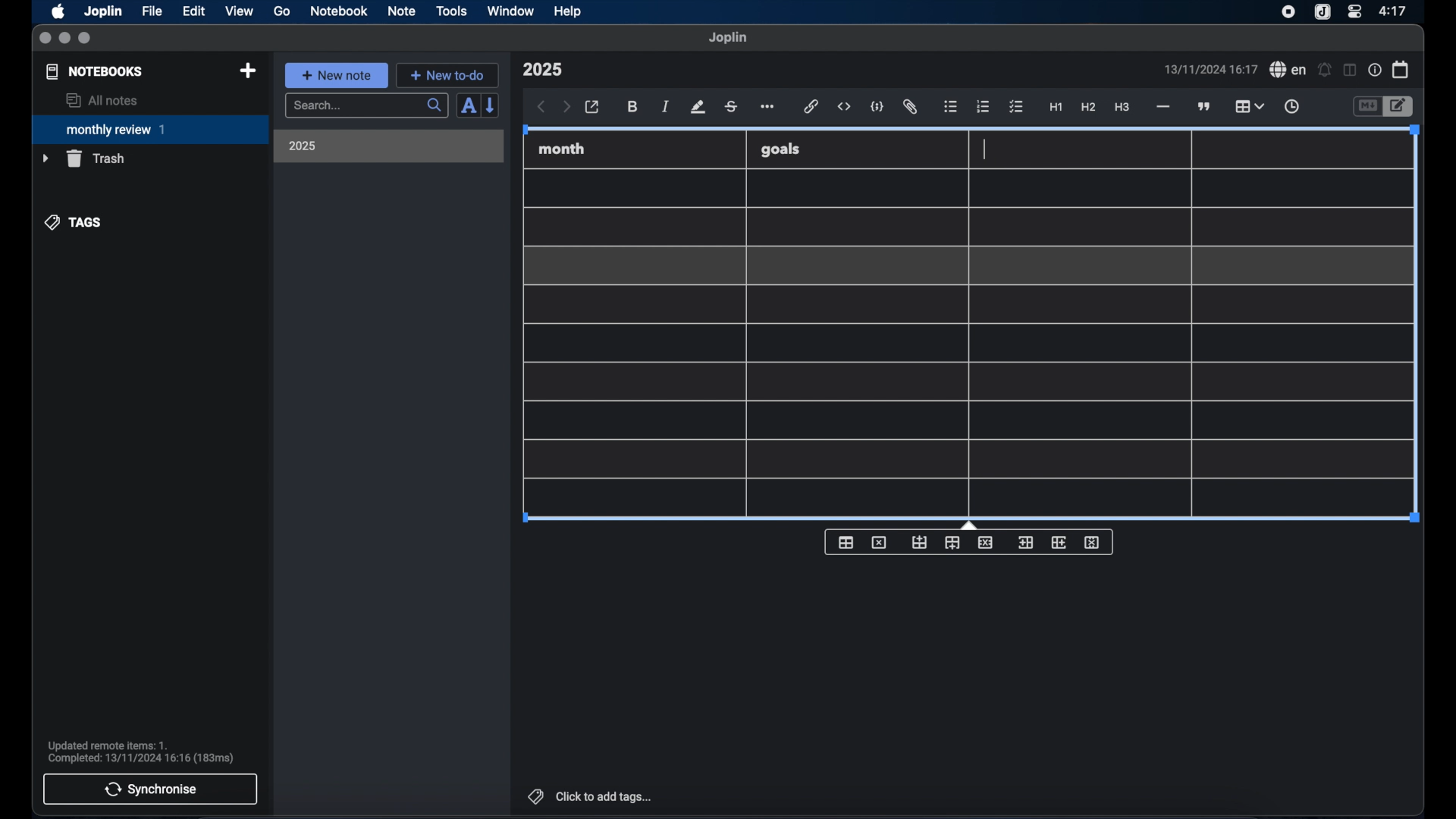  What do you see at coordinates (634, 107) in the screenshot?
I see `bold` at bounding box center [634, 107].